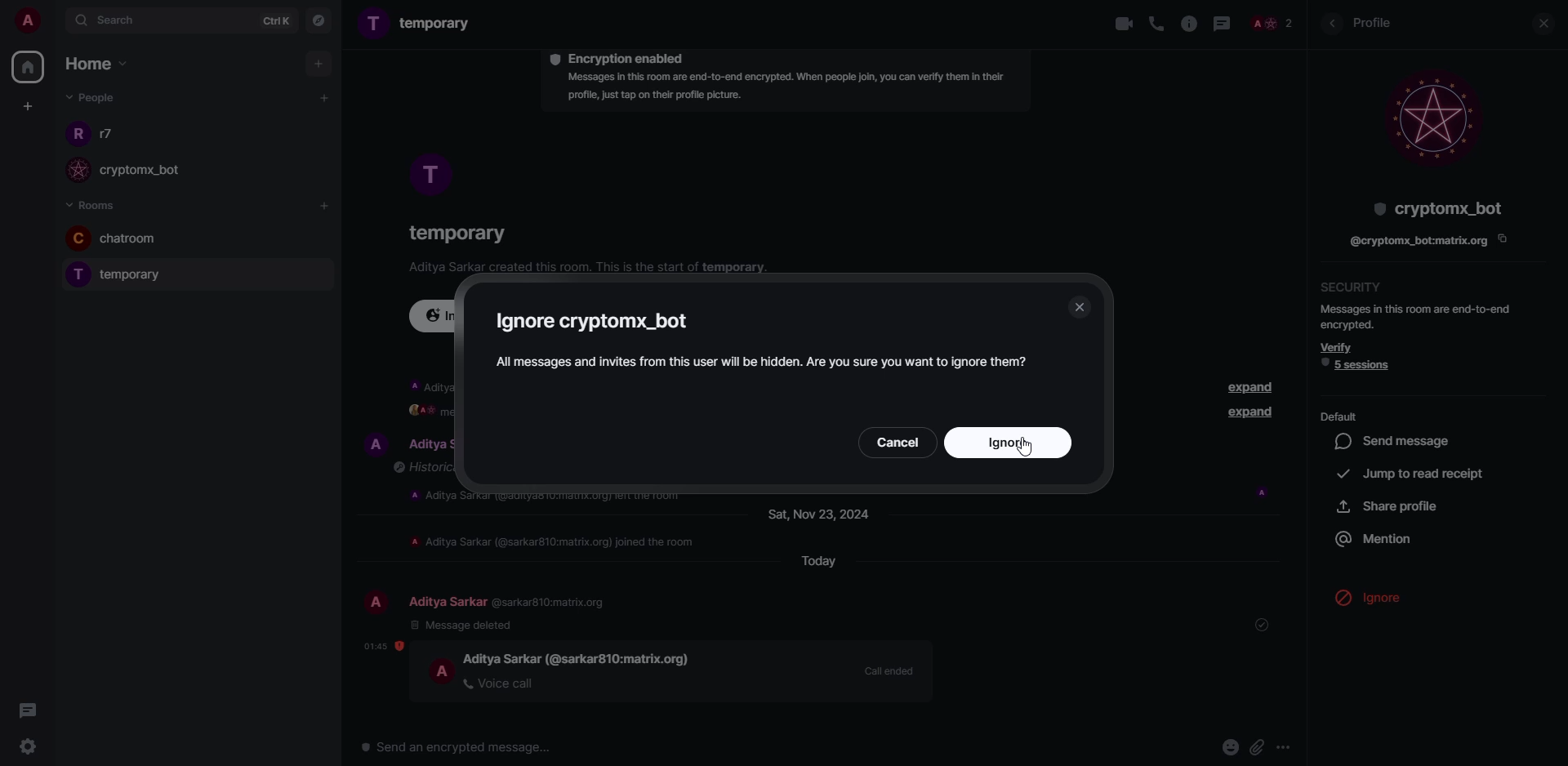 The height and width of the screenshot is (766, 1568). What do you see at coordinates (111, 135) in the screenshot?
I see `people` at bounding box center [111, 135].